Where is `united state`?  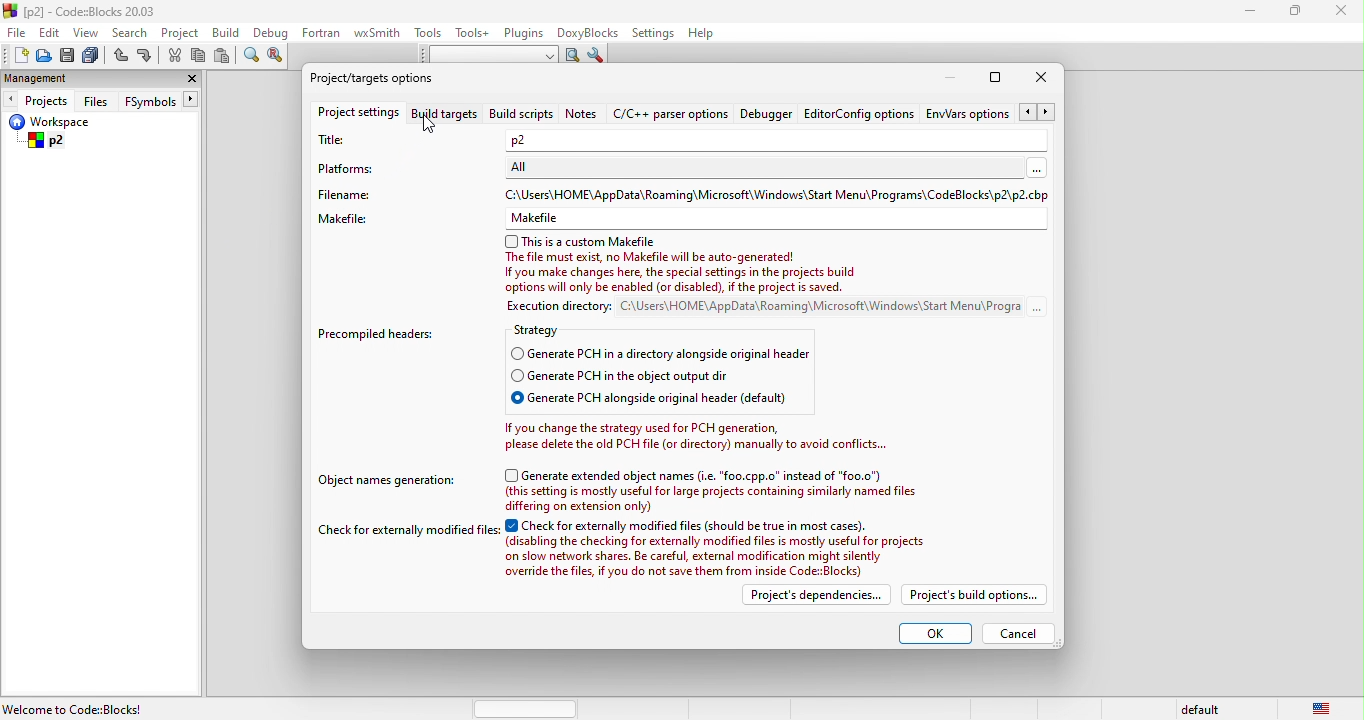
united state is located at coordinates (1324, 707).